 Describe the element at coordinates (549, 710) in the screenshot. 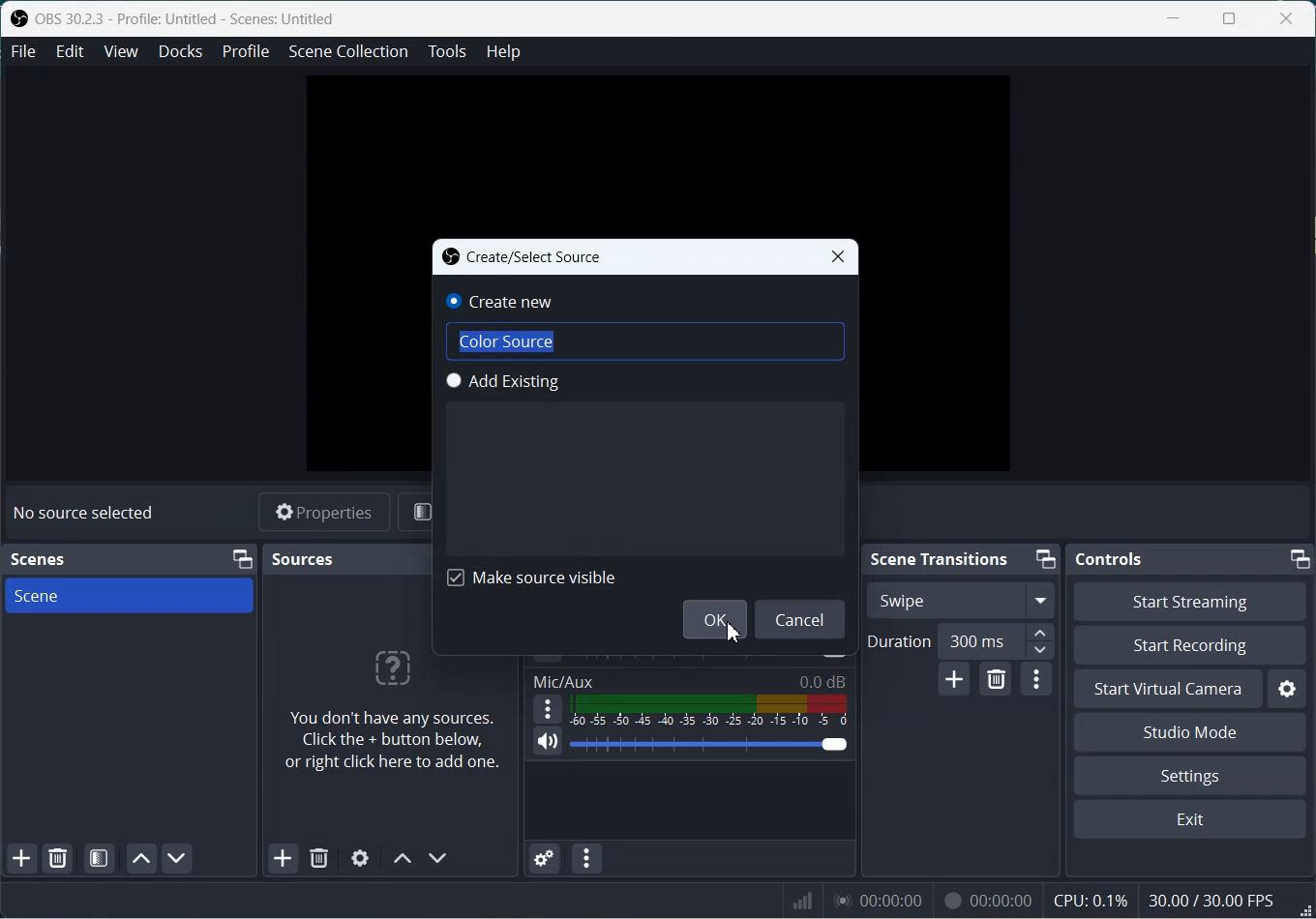

I see `More` at that location.